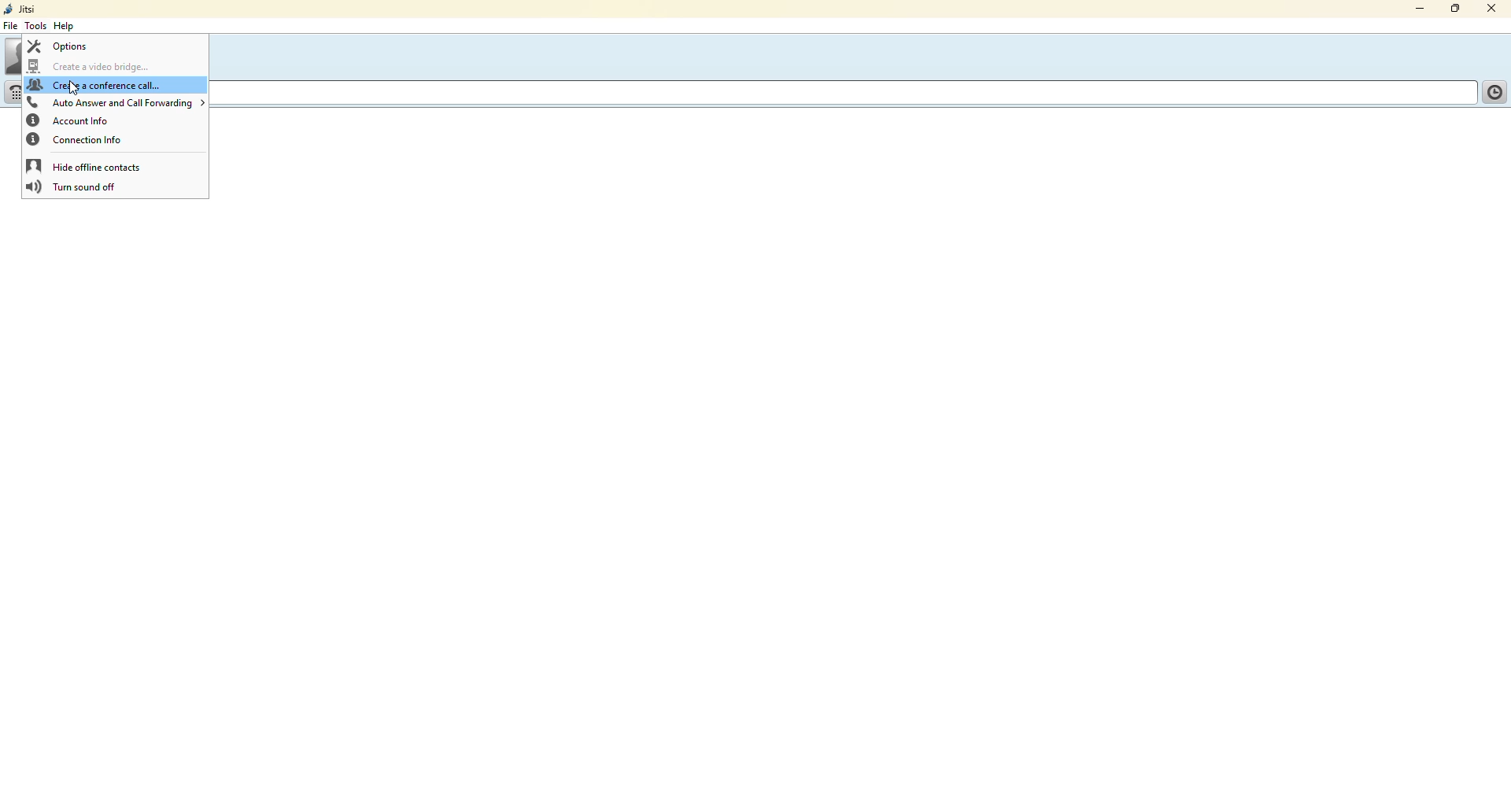  I want to click on close, so click(1493, 13).